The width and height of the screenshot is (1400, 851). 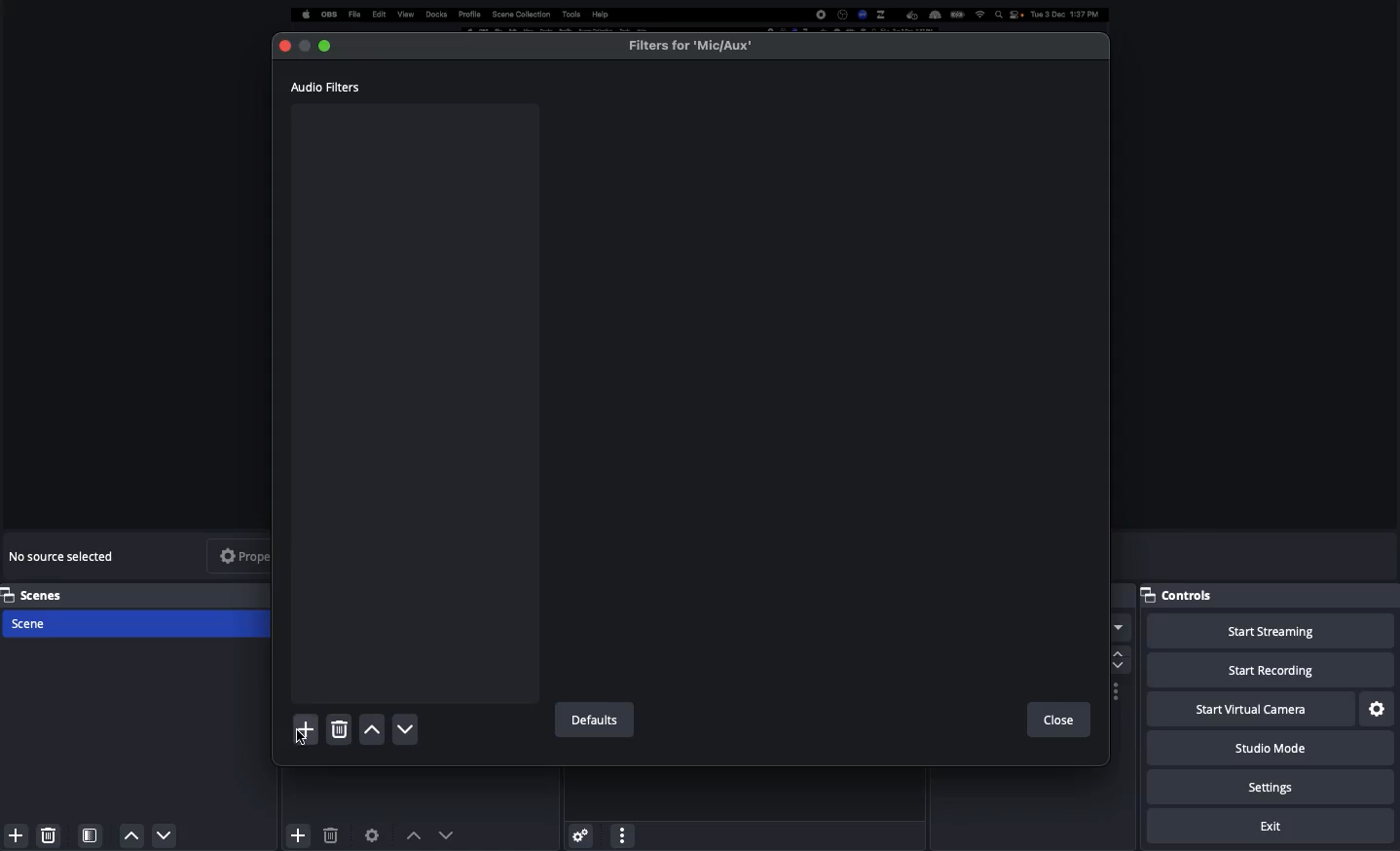 What do you see at coordinates (621, 833) in the screenshot?
I see `More` at bounding box center [621, 833].